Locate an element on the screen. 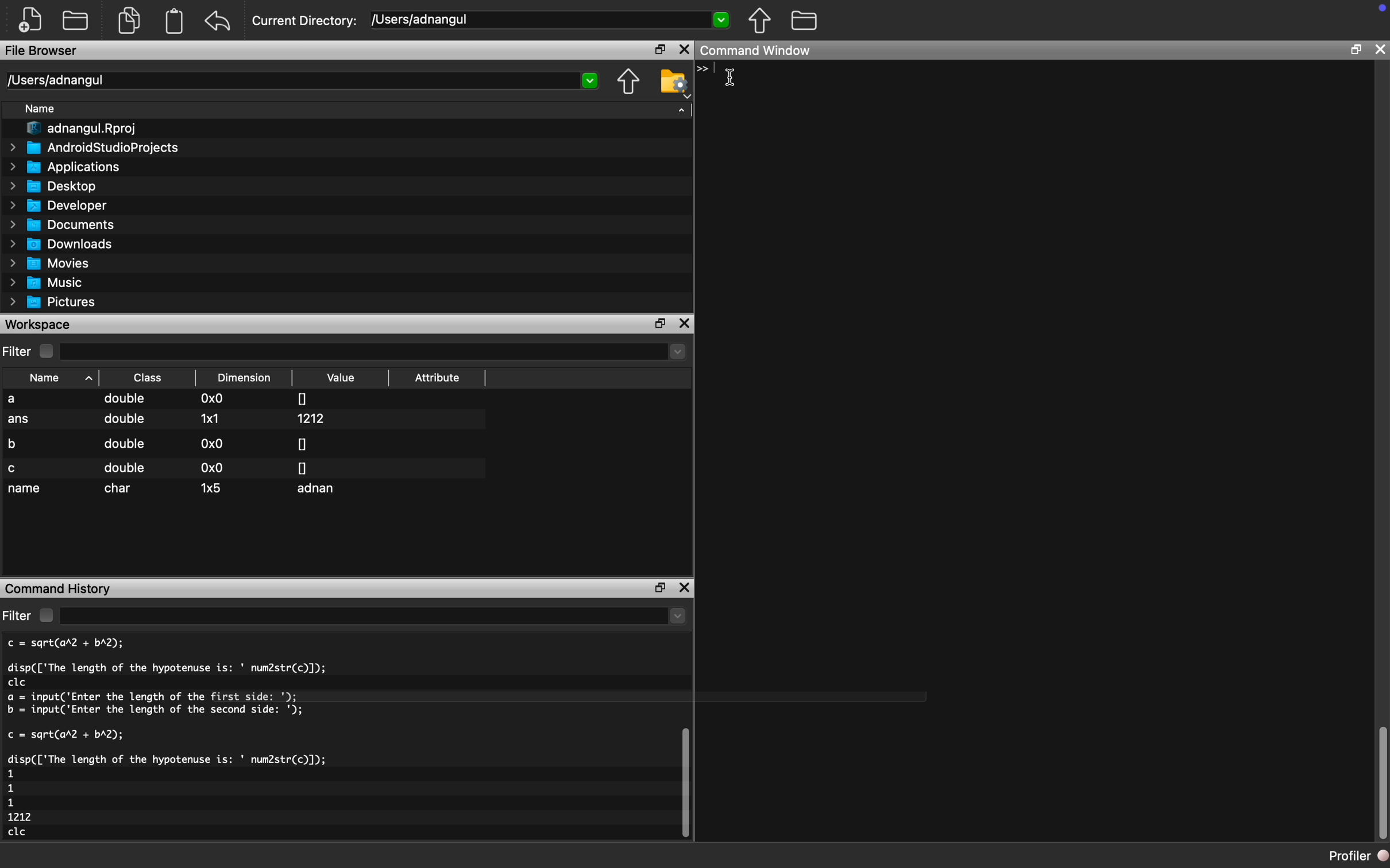 The image size is (1390, 868). 0x0 is located at coordinates (210, 468).